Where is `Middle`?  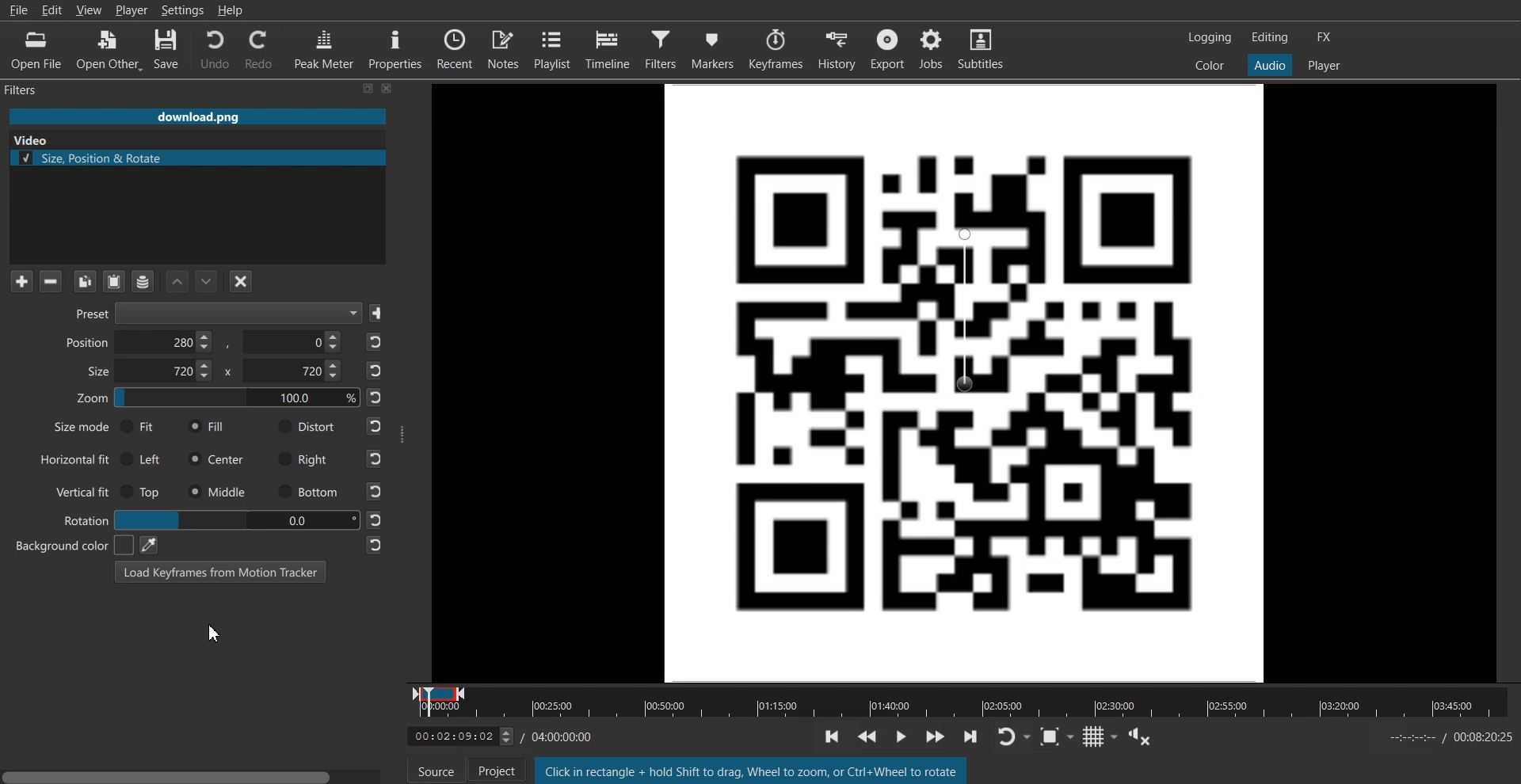 Middle is located at coordinates (216, 490).